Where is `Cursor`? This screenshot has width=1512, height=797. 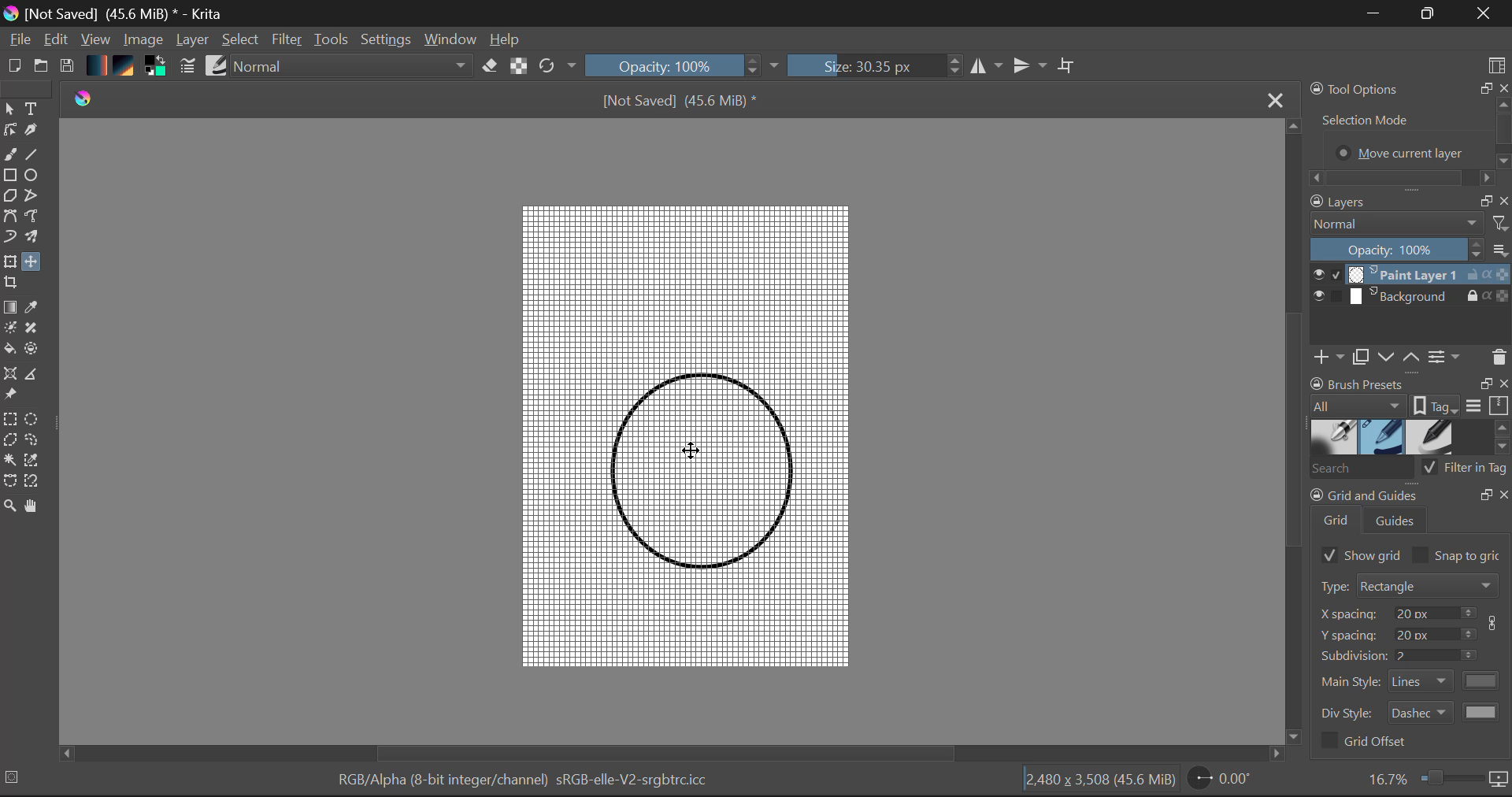
Cursor is located at coordinates (693, 452).